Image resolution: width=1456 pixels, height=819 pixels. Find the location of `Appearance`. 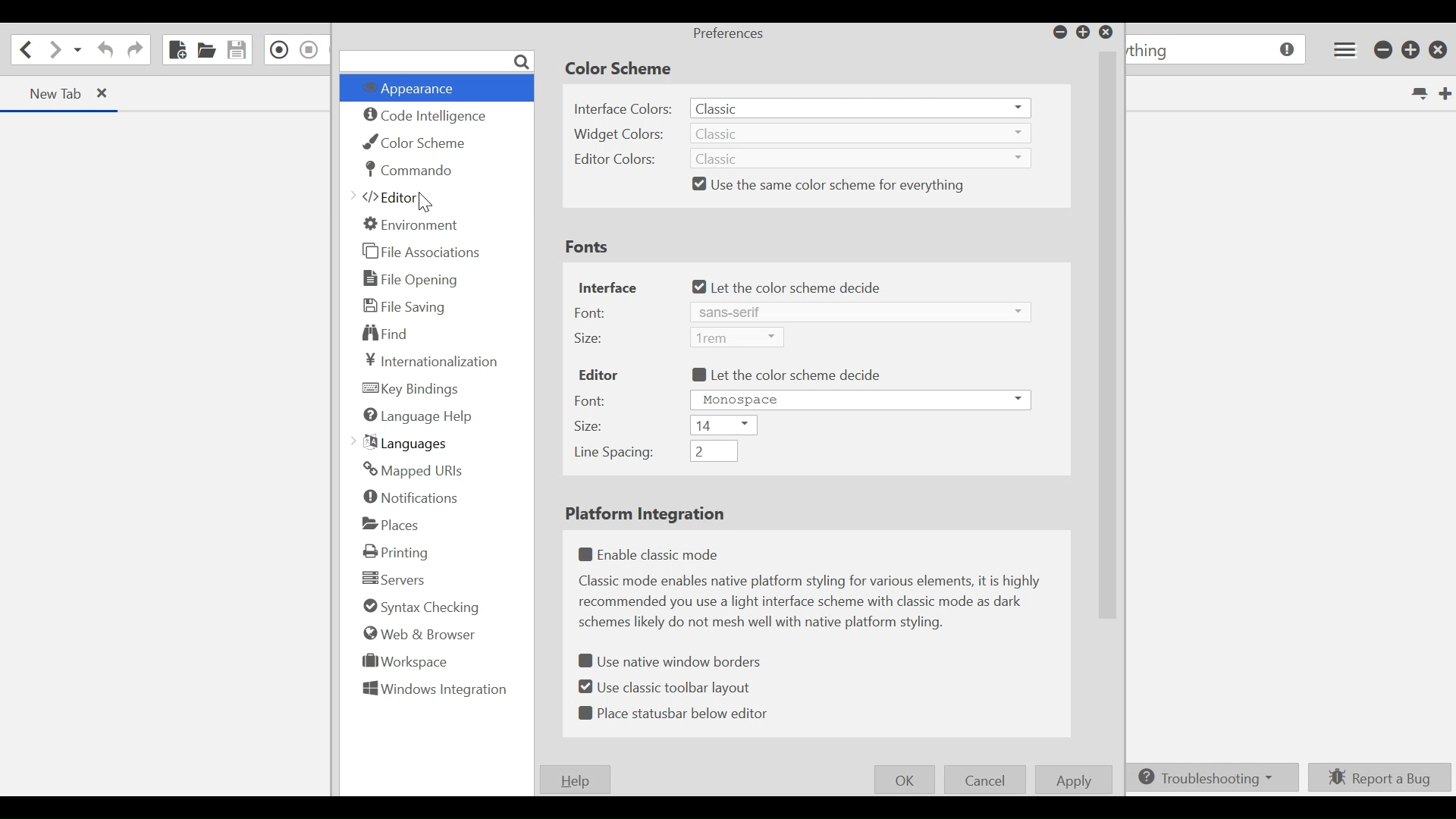

Appearance is located at coordinates (418, 89).